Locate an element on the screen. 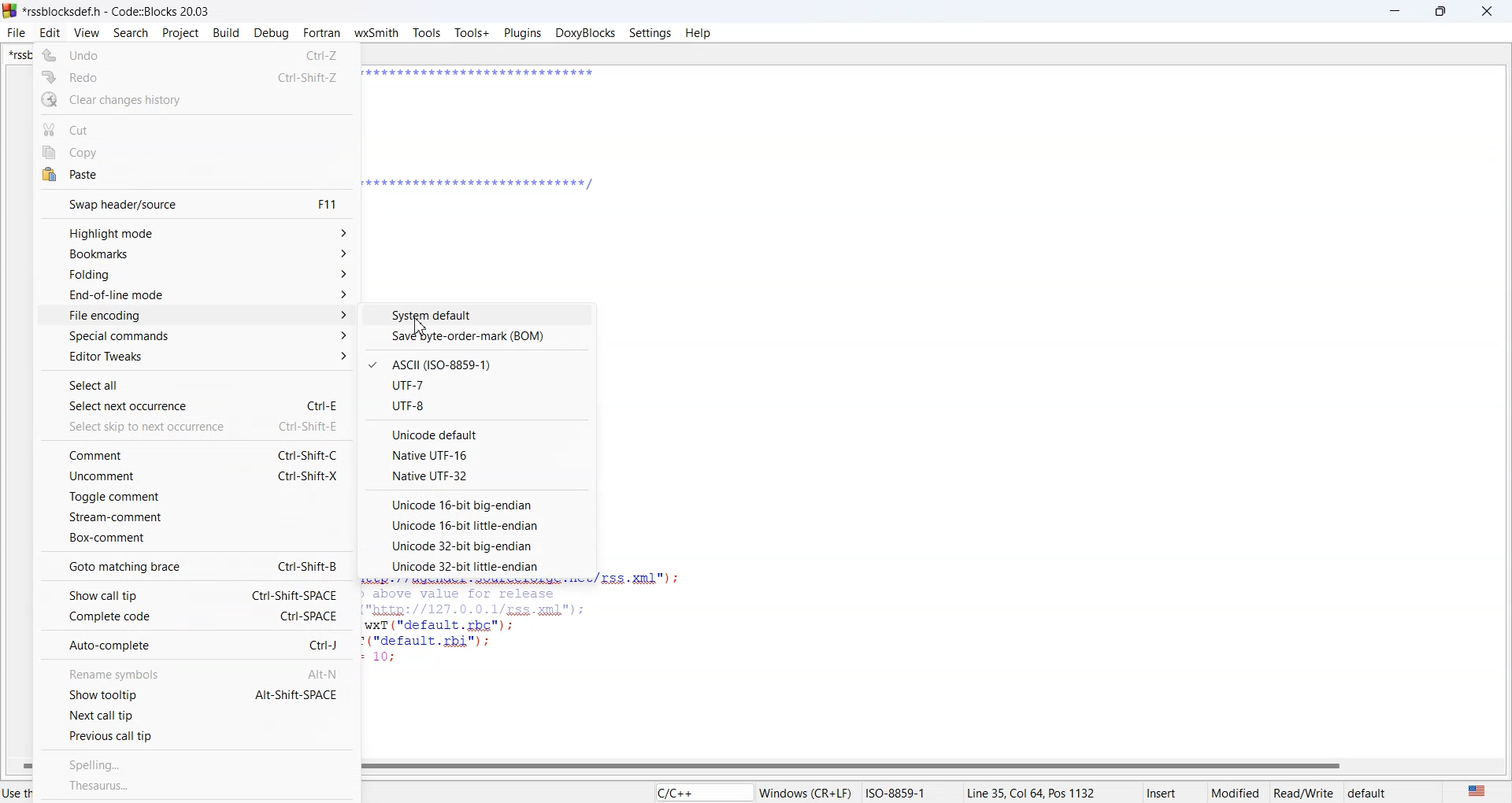  End of line mode is located at coordinates (198, 295).